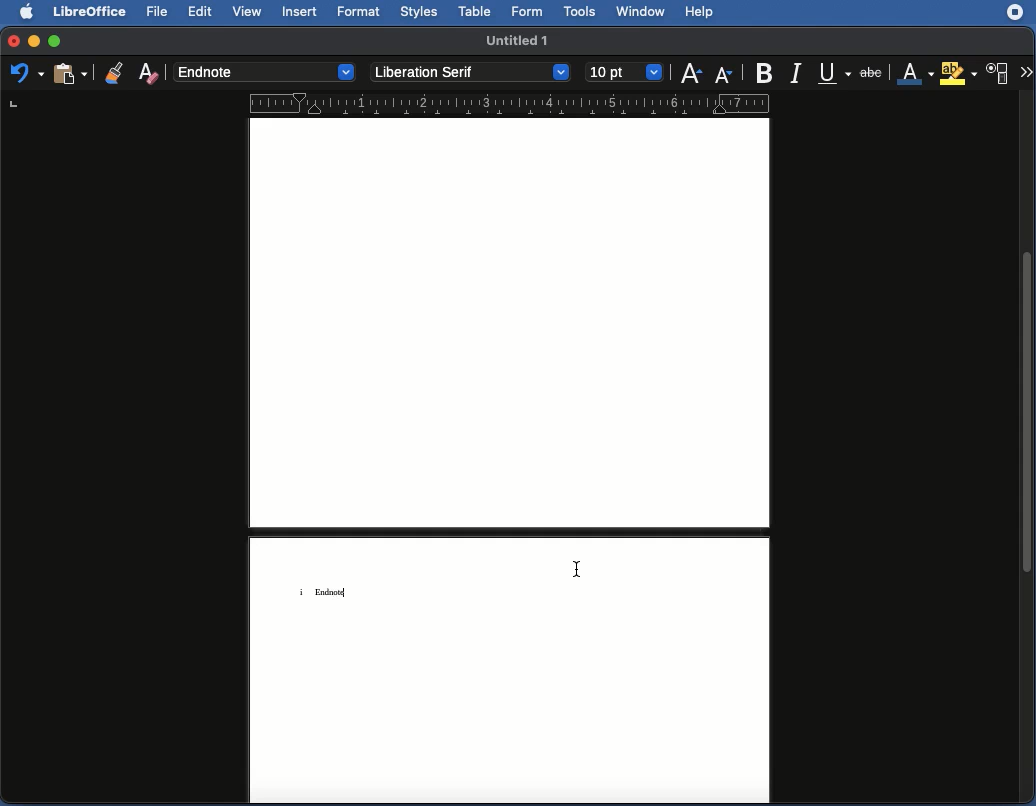 This screenshot has height=806, width=1036. What do you see at coordinates (394, 101) in the screenshot?
I see `Ruler` at bounding box center [394, 101].